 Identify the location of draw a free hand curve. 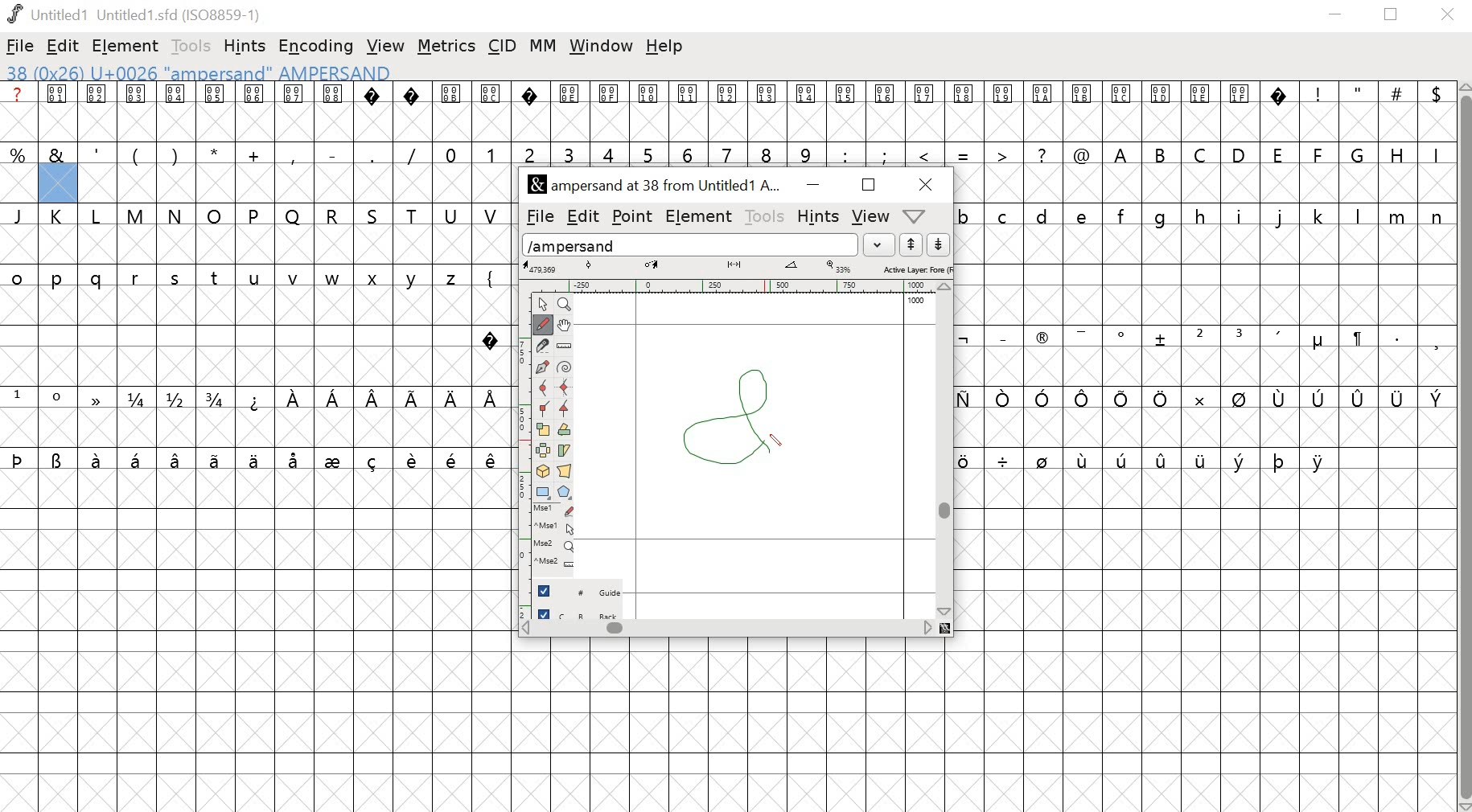
(541, 324).